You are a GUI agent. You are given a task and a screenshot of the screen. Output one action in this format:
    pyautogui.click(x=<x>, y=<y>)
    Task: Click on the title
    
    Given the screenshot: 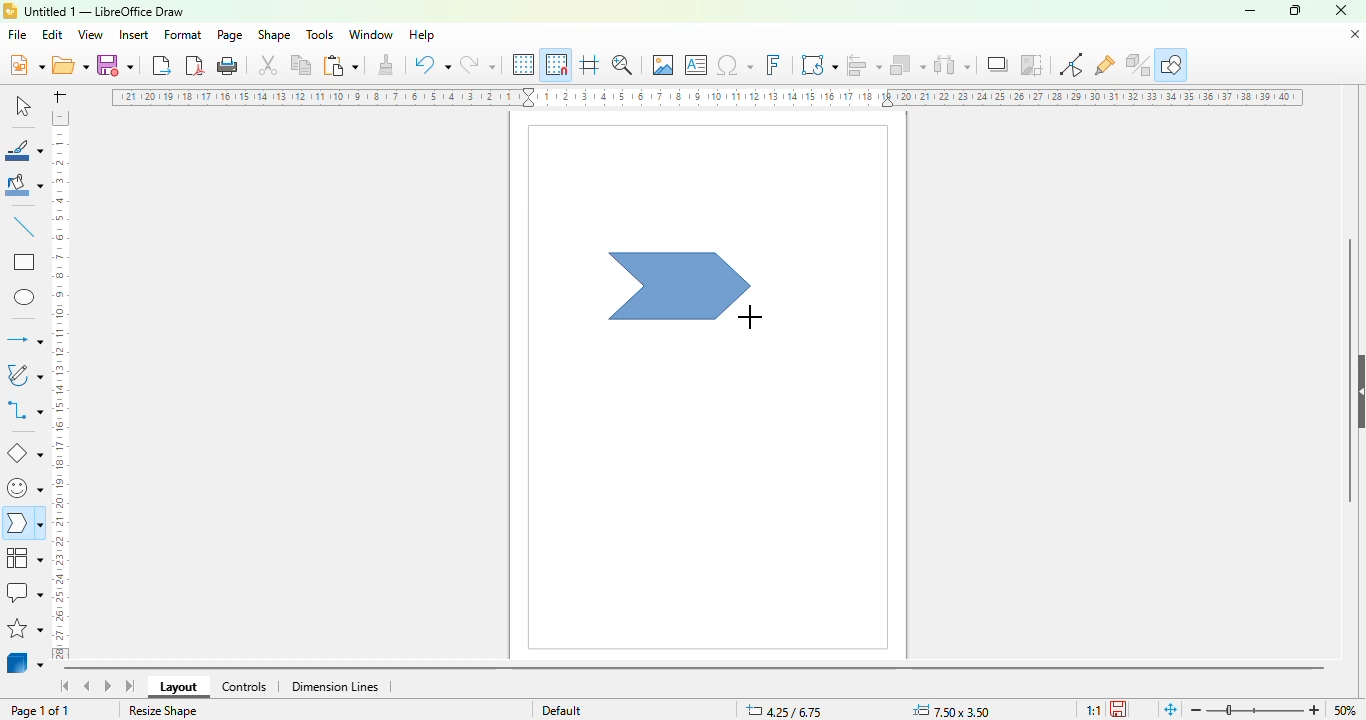 What is the action you would take?
    pyautogui.click(x=104, y=12)
    